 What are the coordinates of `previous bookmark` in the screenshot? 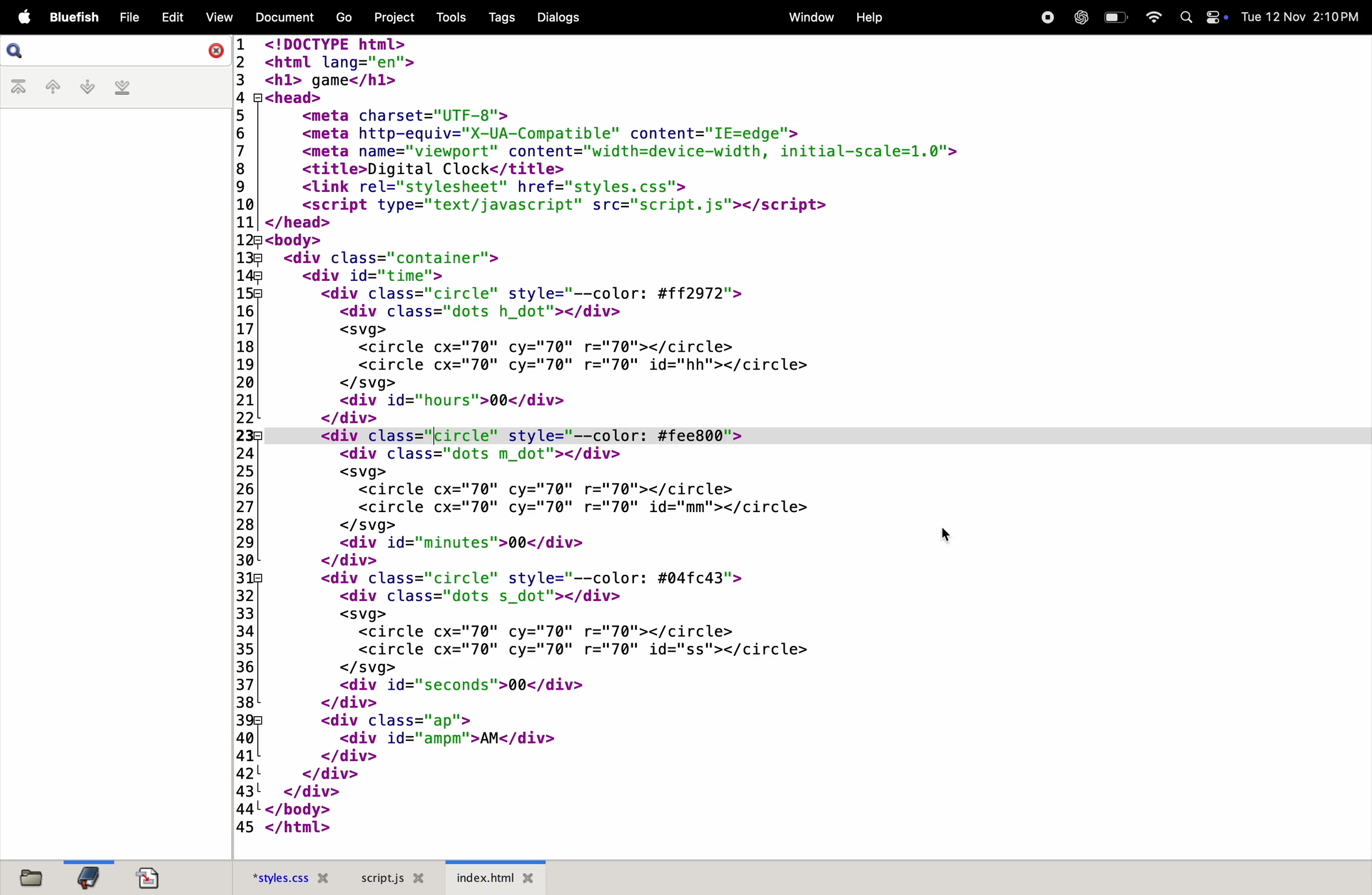 It's located at (52, 87).